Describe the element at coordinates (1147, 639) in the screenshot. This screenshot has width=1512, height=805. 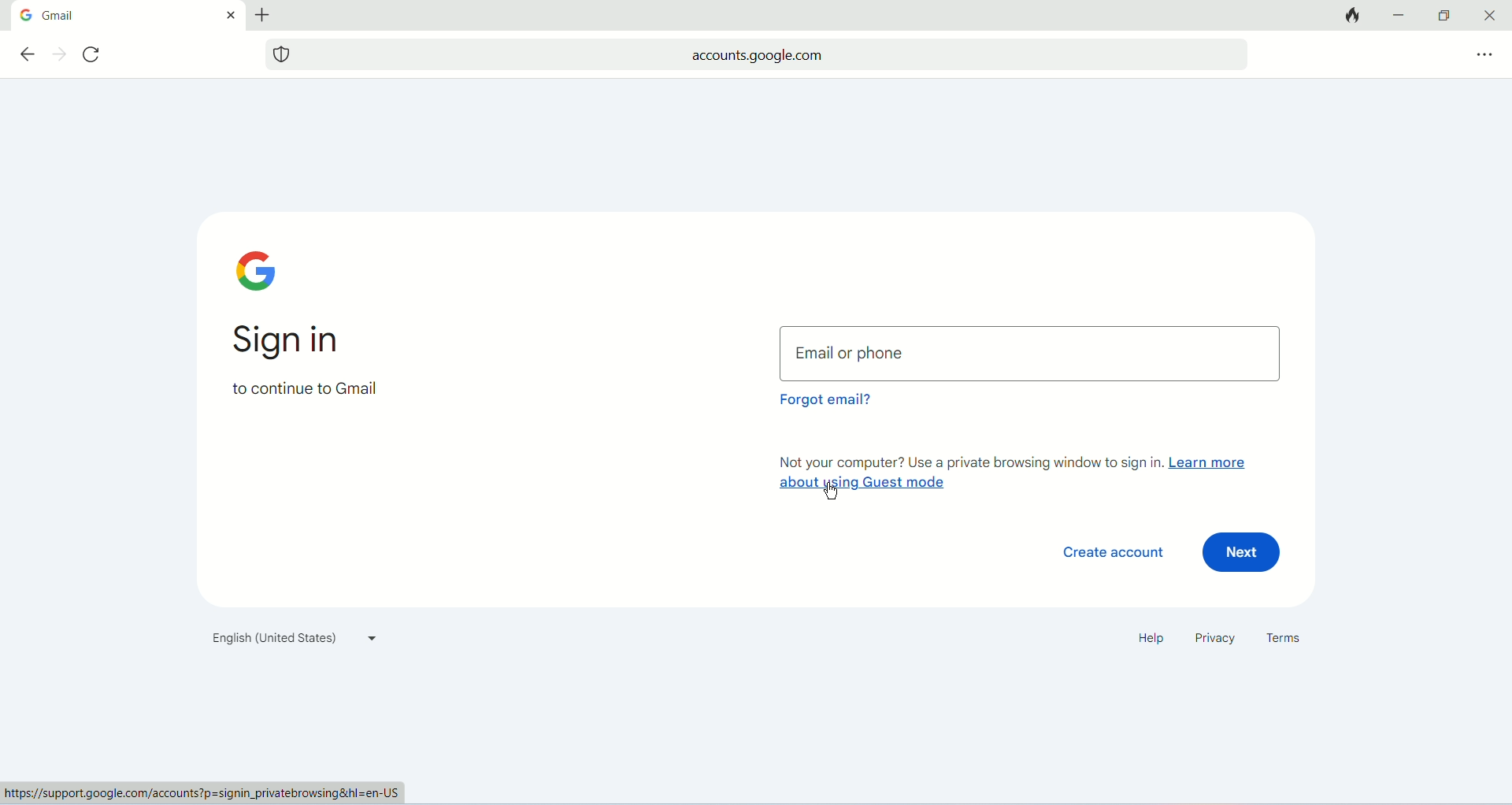
I see `help` at that location.